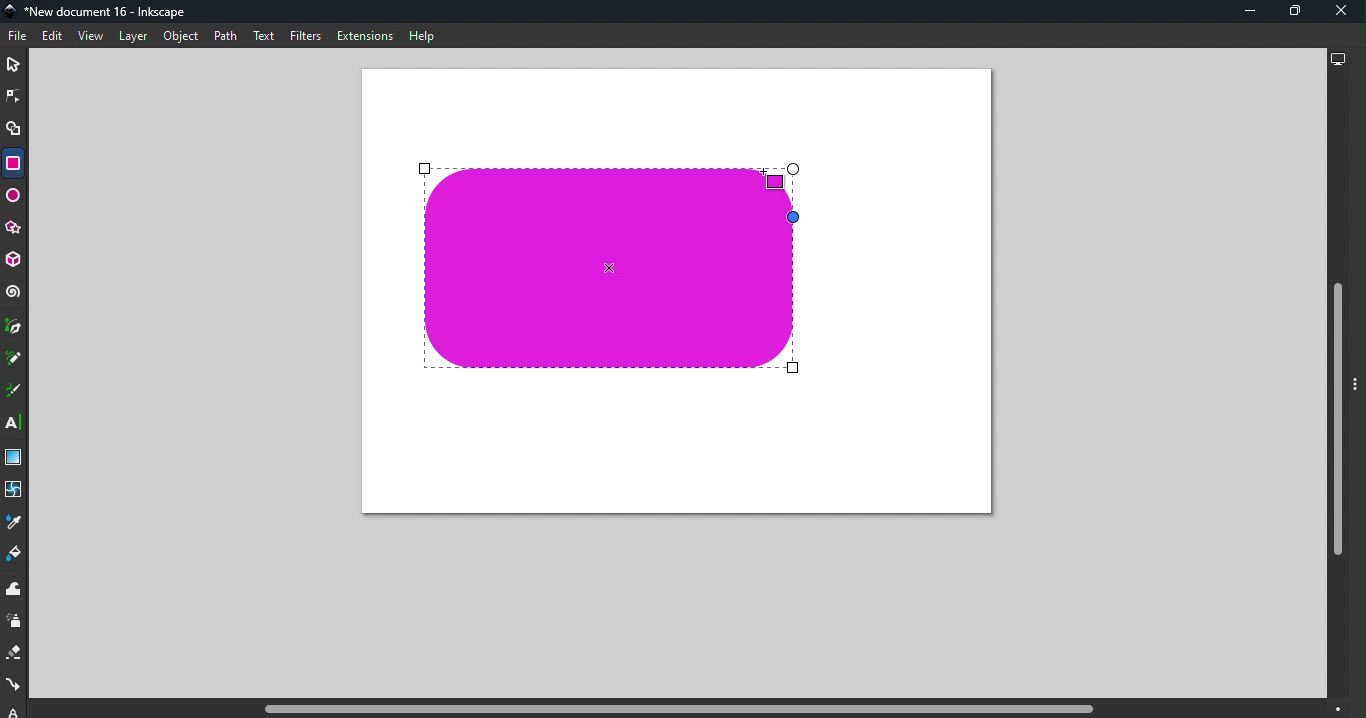 The height and width of the screenshot is (718, 1366). Describe the element at coordinates (18, 590) in the screenshot. I see `Tweak tool` at that location.